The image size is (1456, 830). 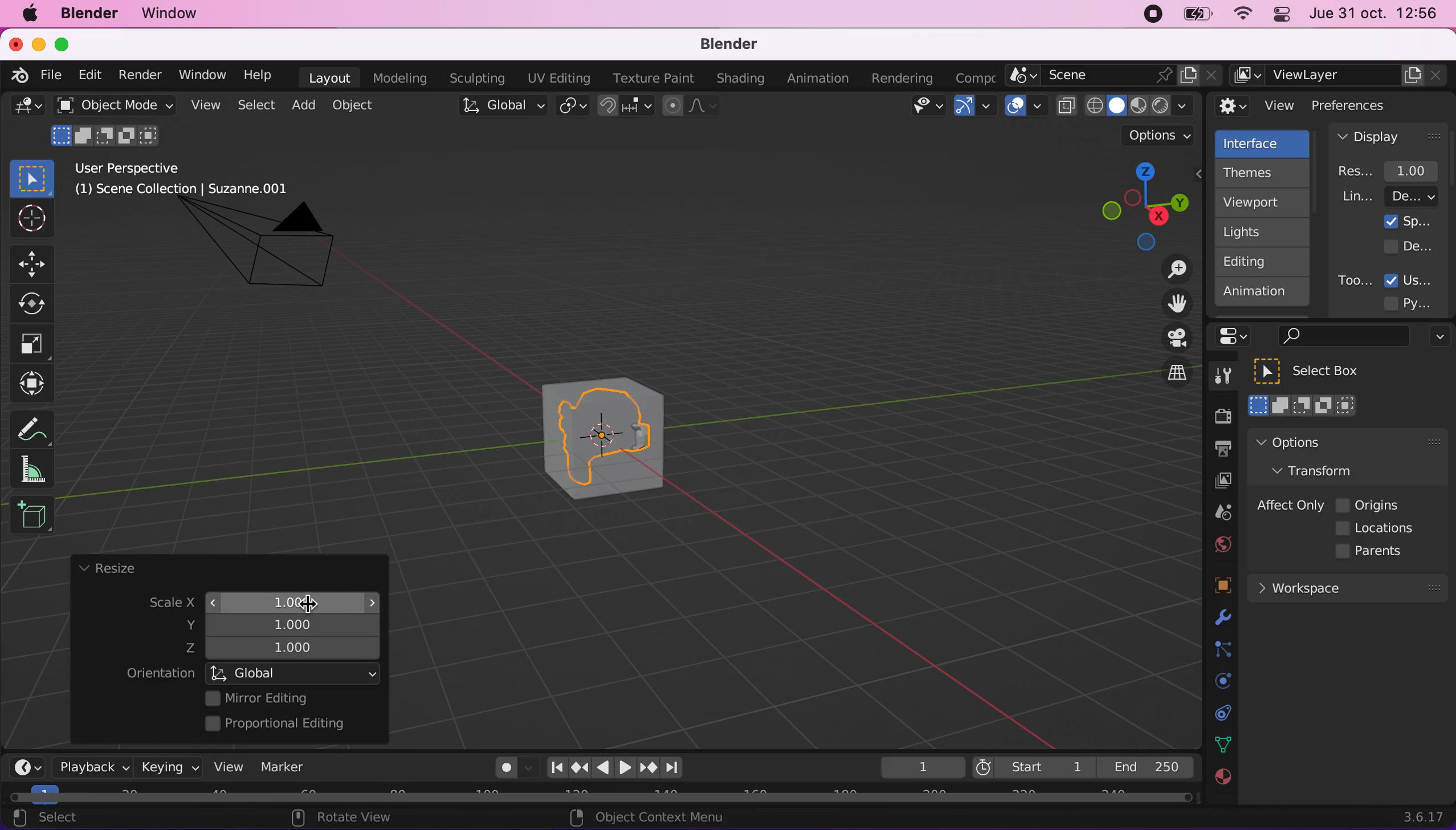 What do you see at coordinates (1169, 339) in the screenshot?
I see `toggle the camera view` at bounding box center [1169, 339].